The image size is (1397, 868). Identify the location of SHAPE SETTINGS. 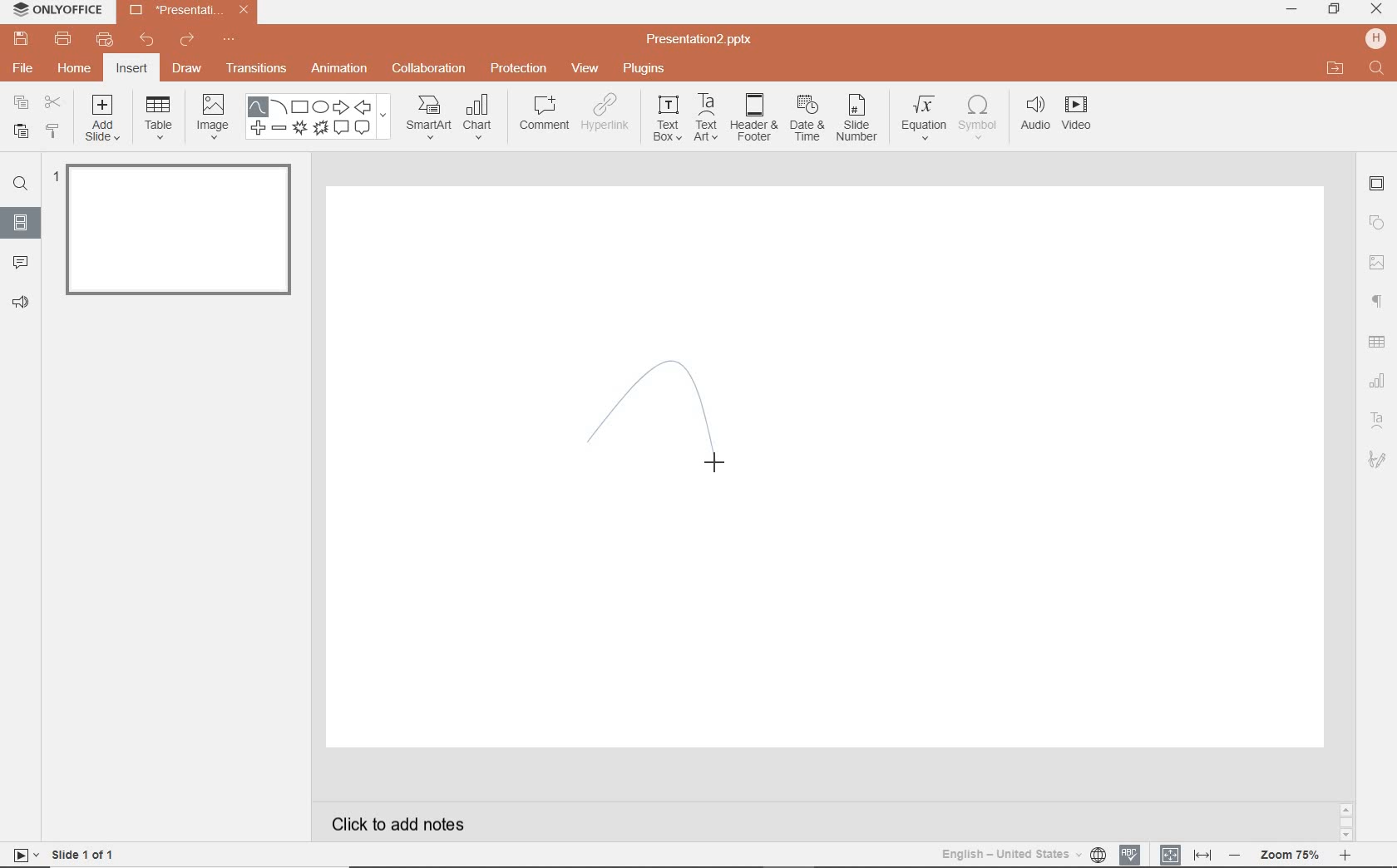
(1378, 223).